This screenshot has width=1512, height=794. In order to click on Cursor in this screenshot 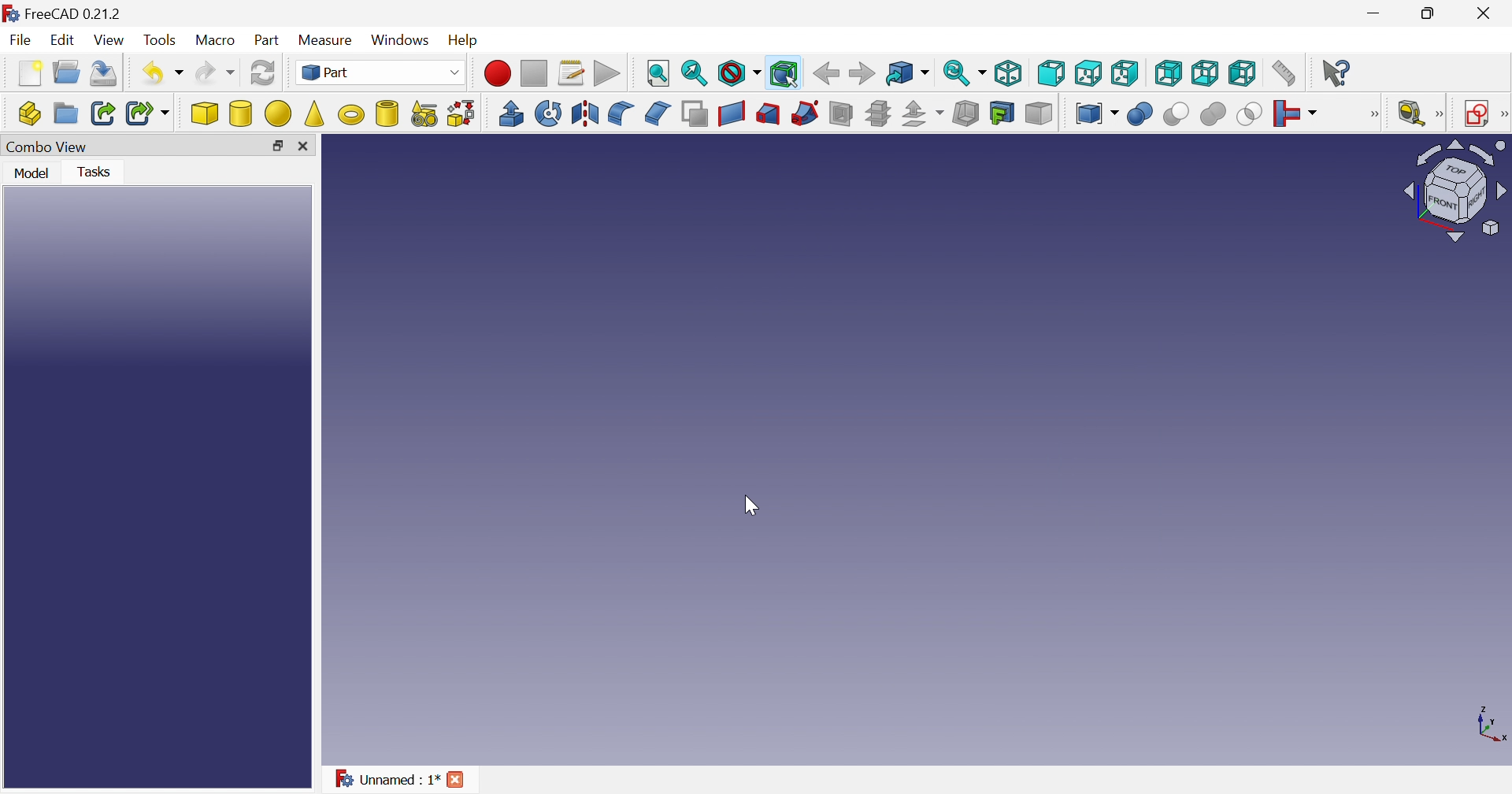, I will do `click(752, 506)`.